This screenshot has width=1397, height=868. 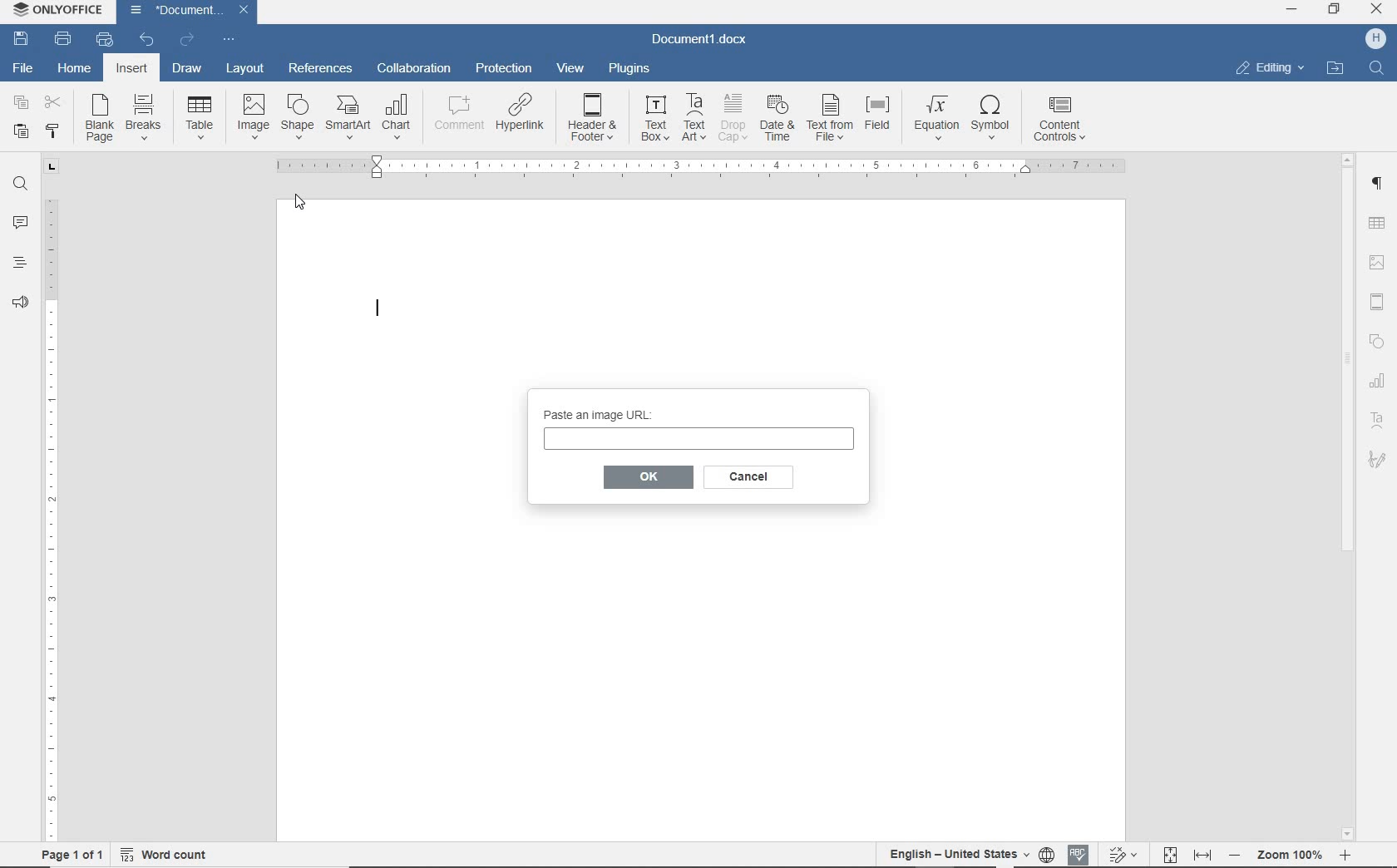 What do you see at coordinates (831, 117) in the screenshot?
I see `text from file` at bounding box center [831, 117].